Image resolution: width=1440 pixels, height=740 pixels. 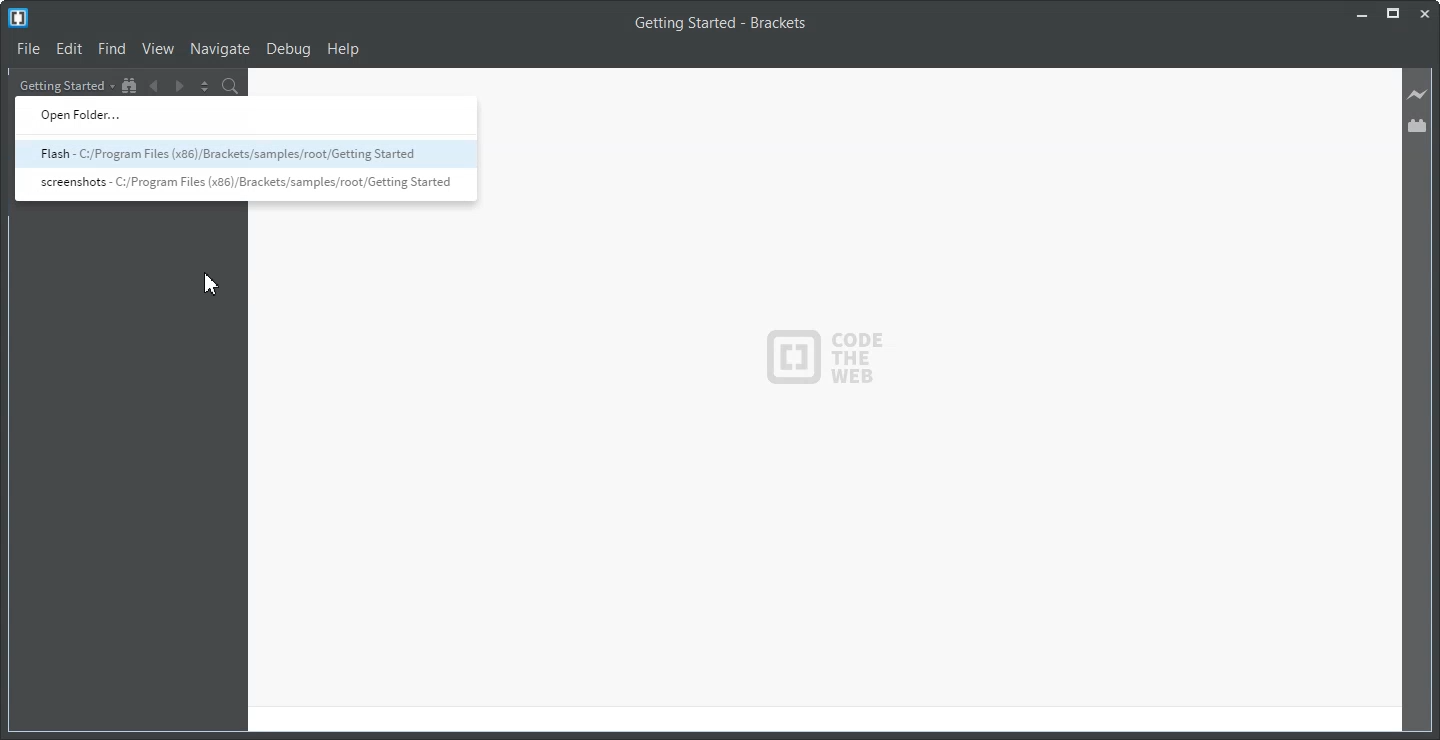 I want to click on Debug, so click(x=290, y=50).